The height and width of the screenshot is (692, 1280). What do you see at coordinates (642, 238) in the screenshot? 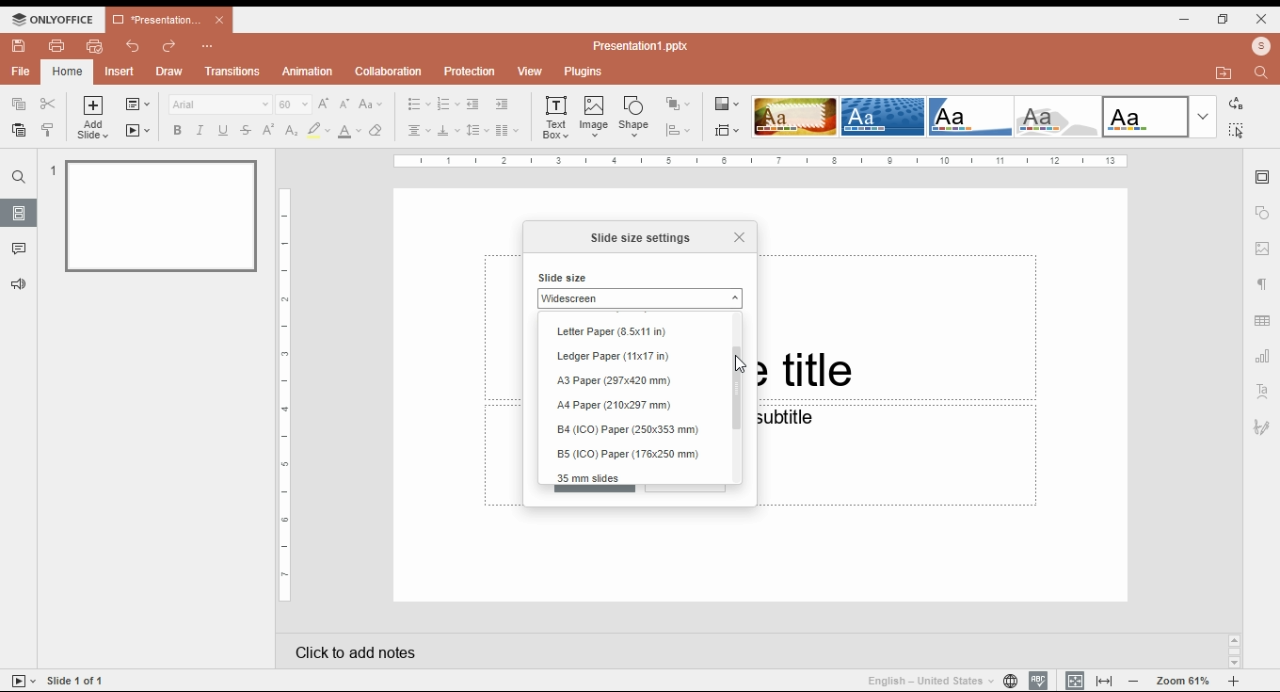
I see `Slide size settings` at bounding box center [642, 238].